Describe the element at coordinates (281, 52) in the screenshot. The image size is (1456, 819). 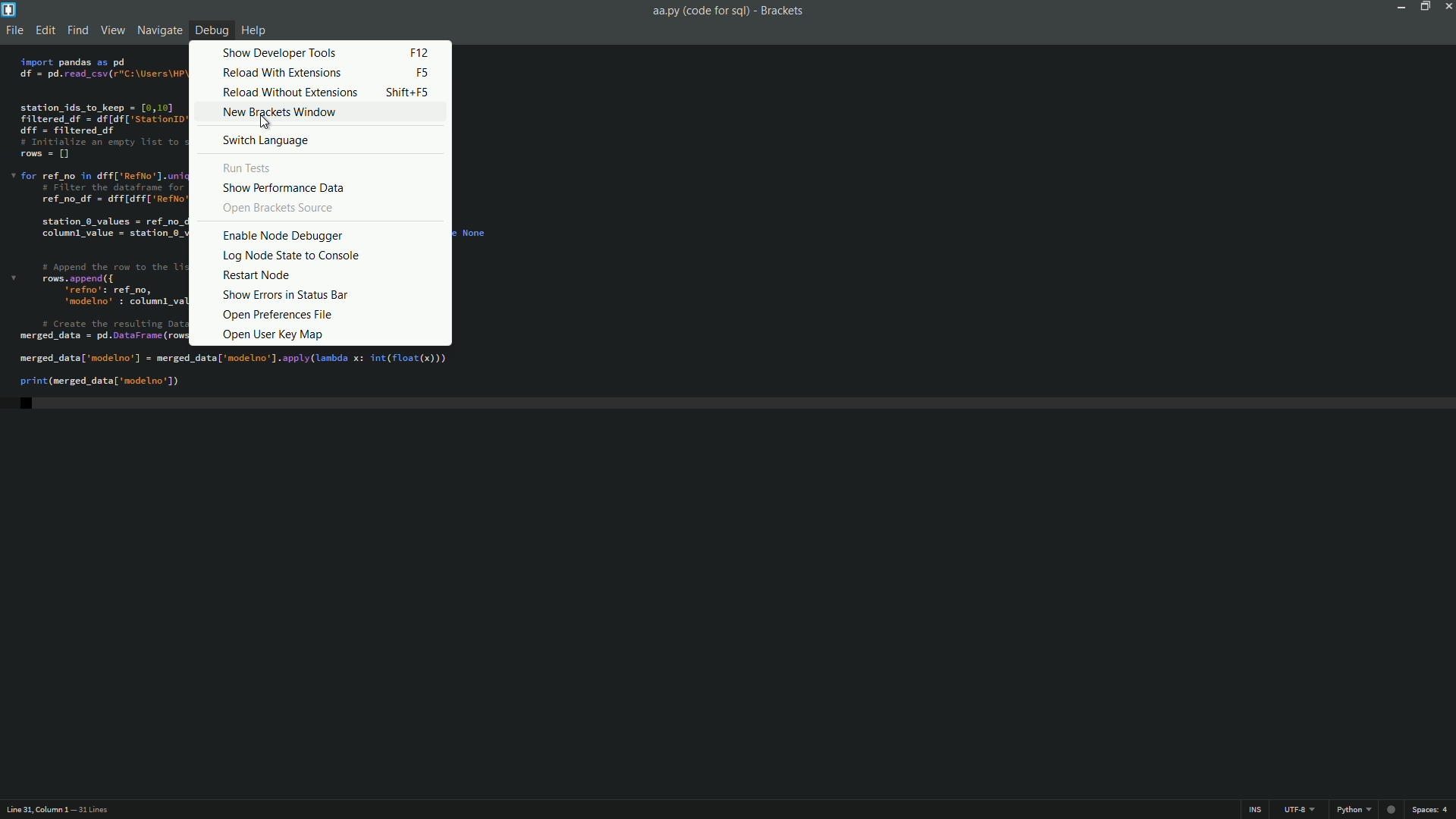
I see `Show developer tools` at that location.